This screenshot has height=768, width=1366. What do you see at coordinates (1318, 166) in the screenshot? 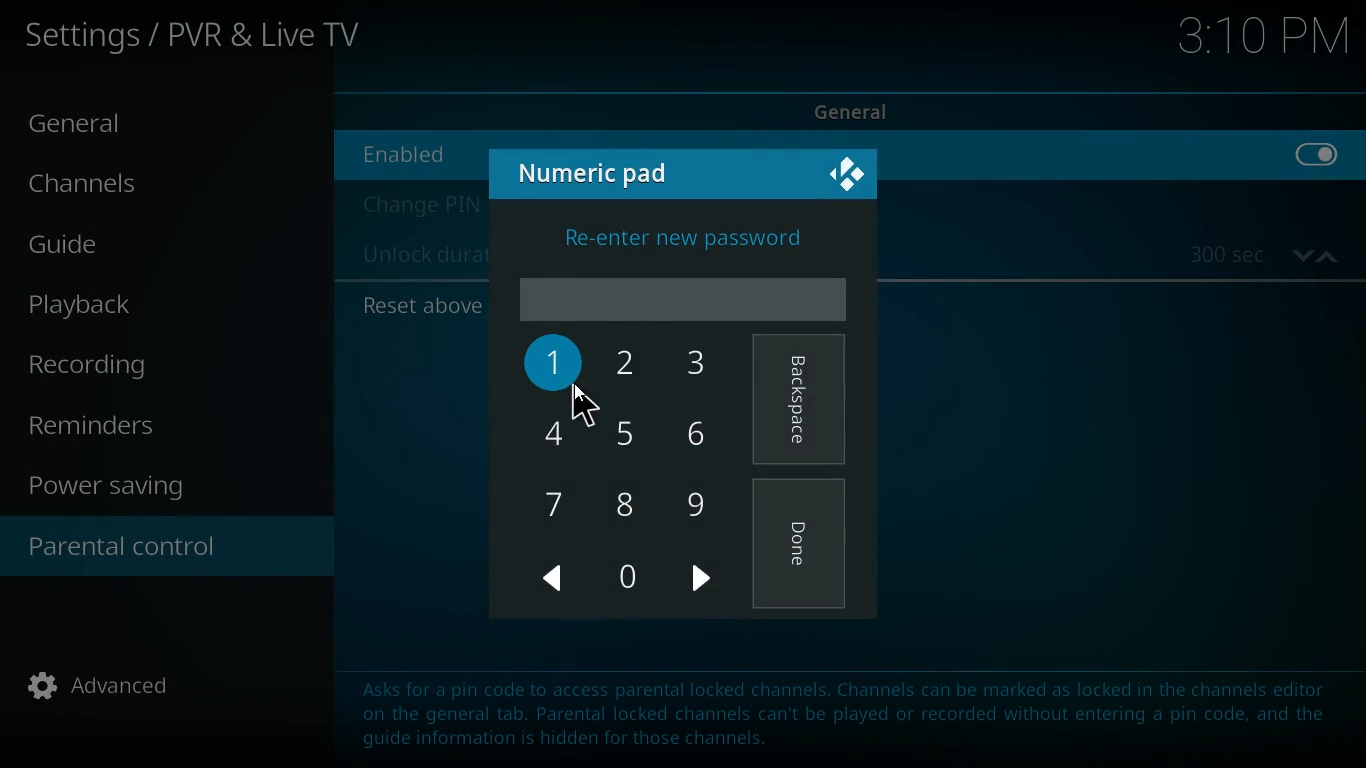
I see `off` at bounding box center [1318, 166].